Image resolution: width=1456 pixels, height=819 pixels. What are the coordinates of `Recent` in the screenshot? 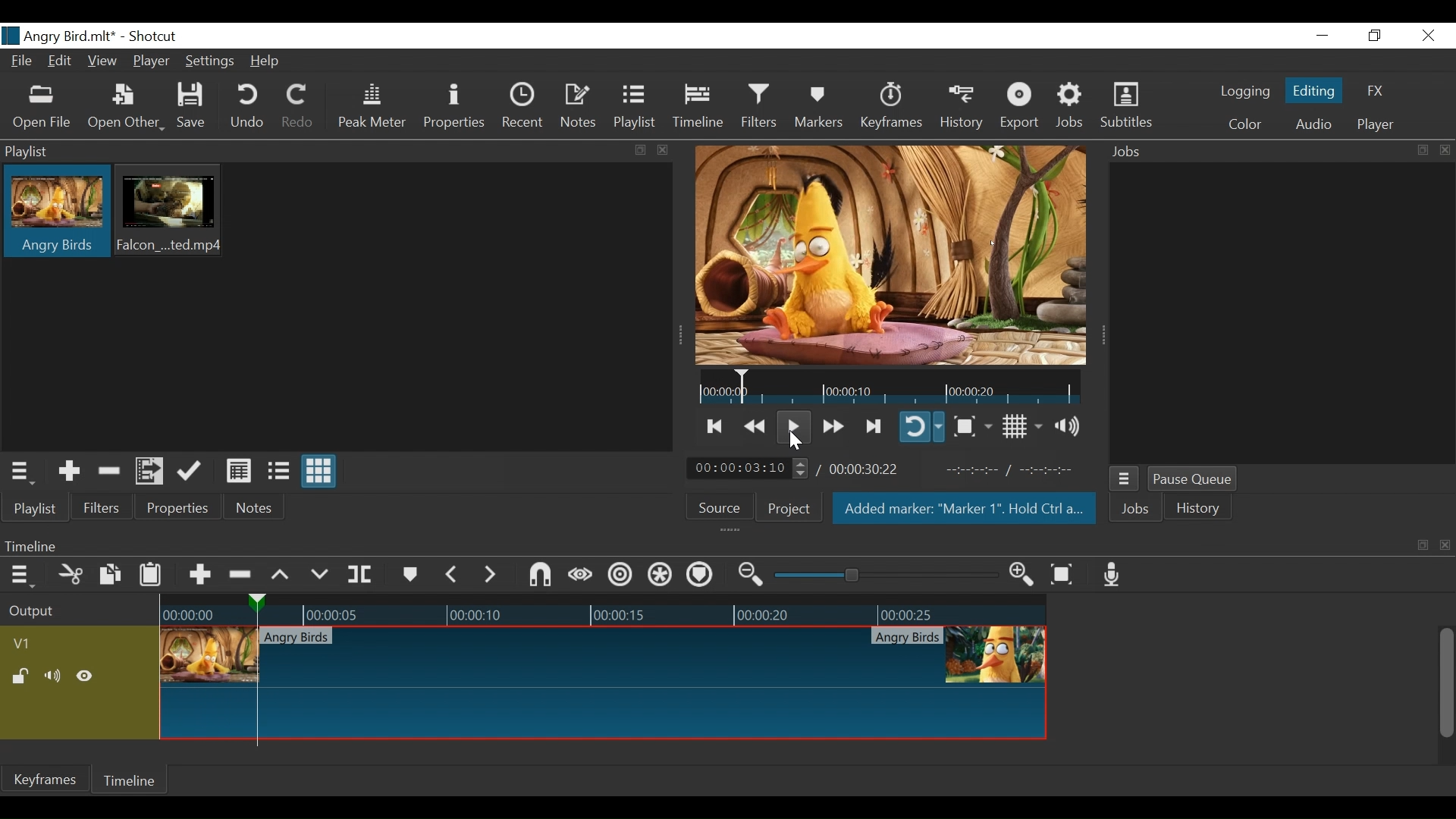 It's located at (526, 108).